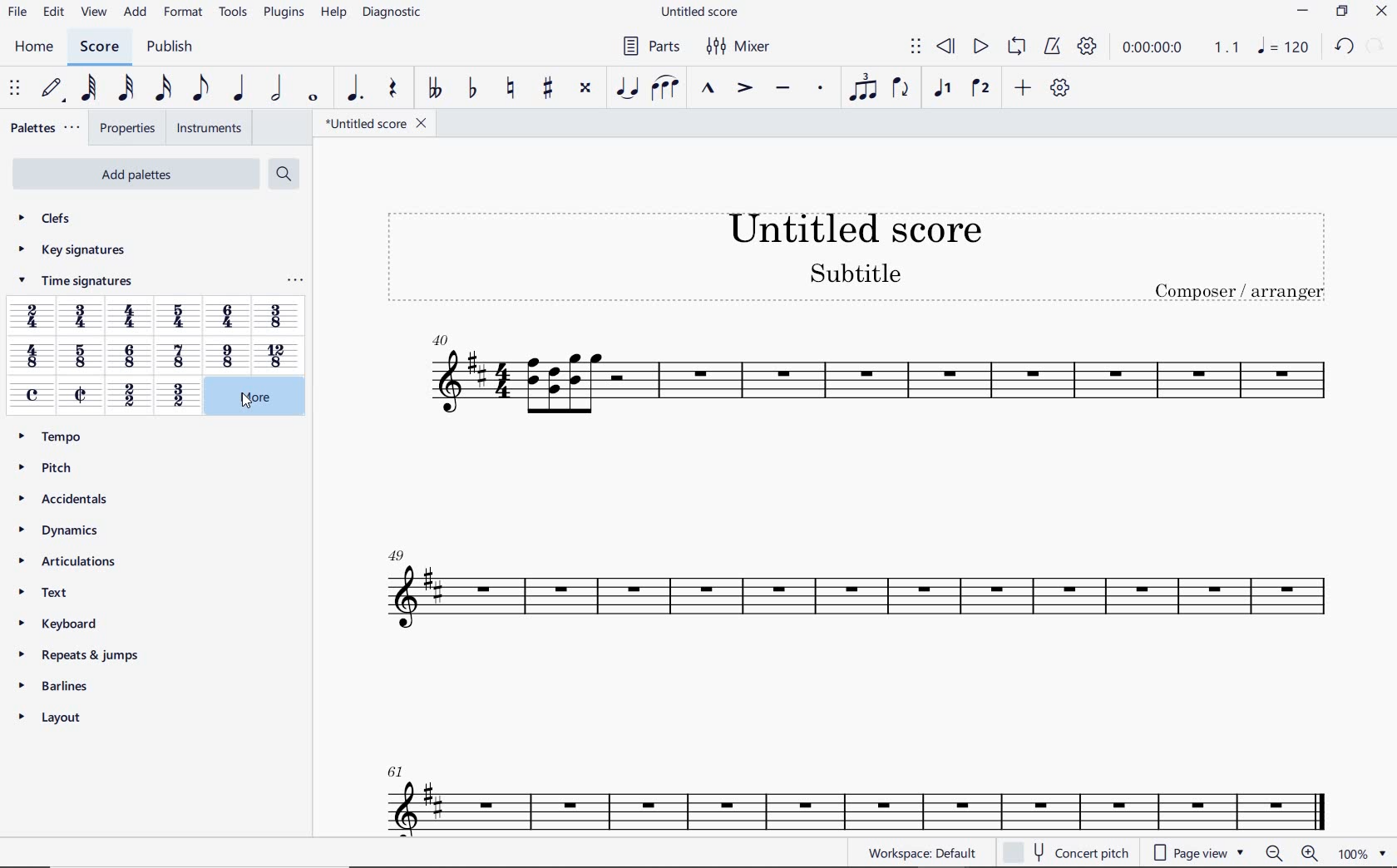  Describe the element at coordinates (1065, 851) in the screenshot. I see `CONCERT PITCH` at that location.